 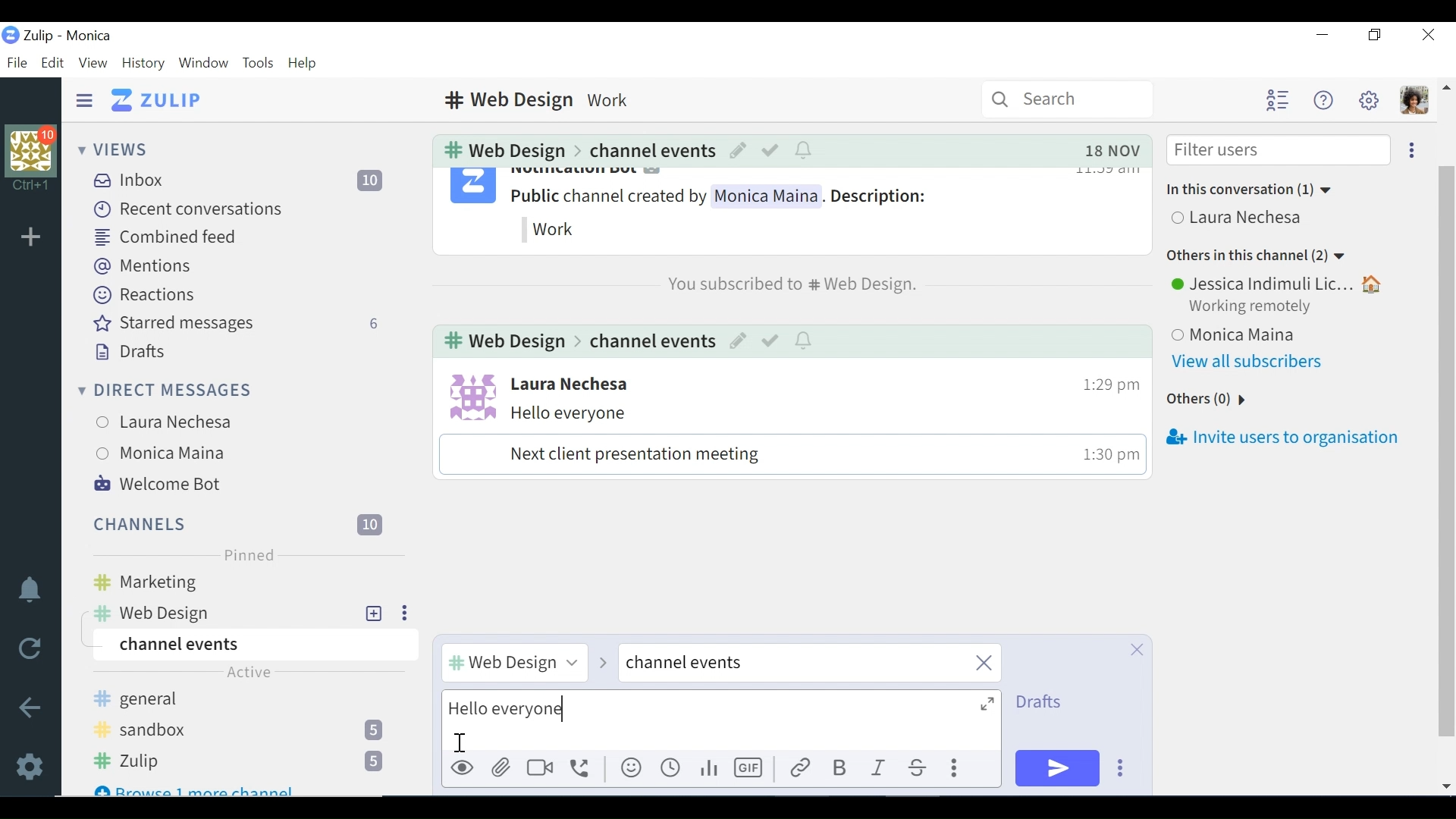 What do you see at coordinates (16, 62) in the screenshot?
I see `File` at bounding box center [16, 62].